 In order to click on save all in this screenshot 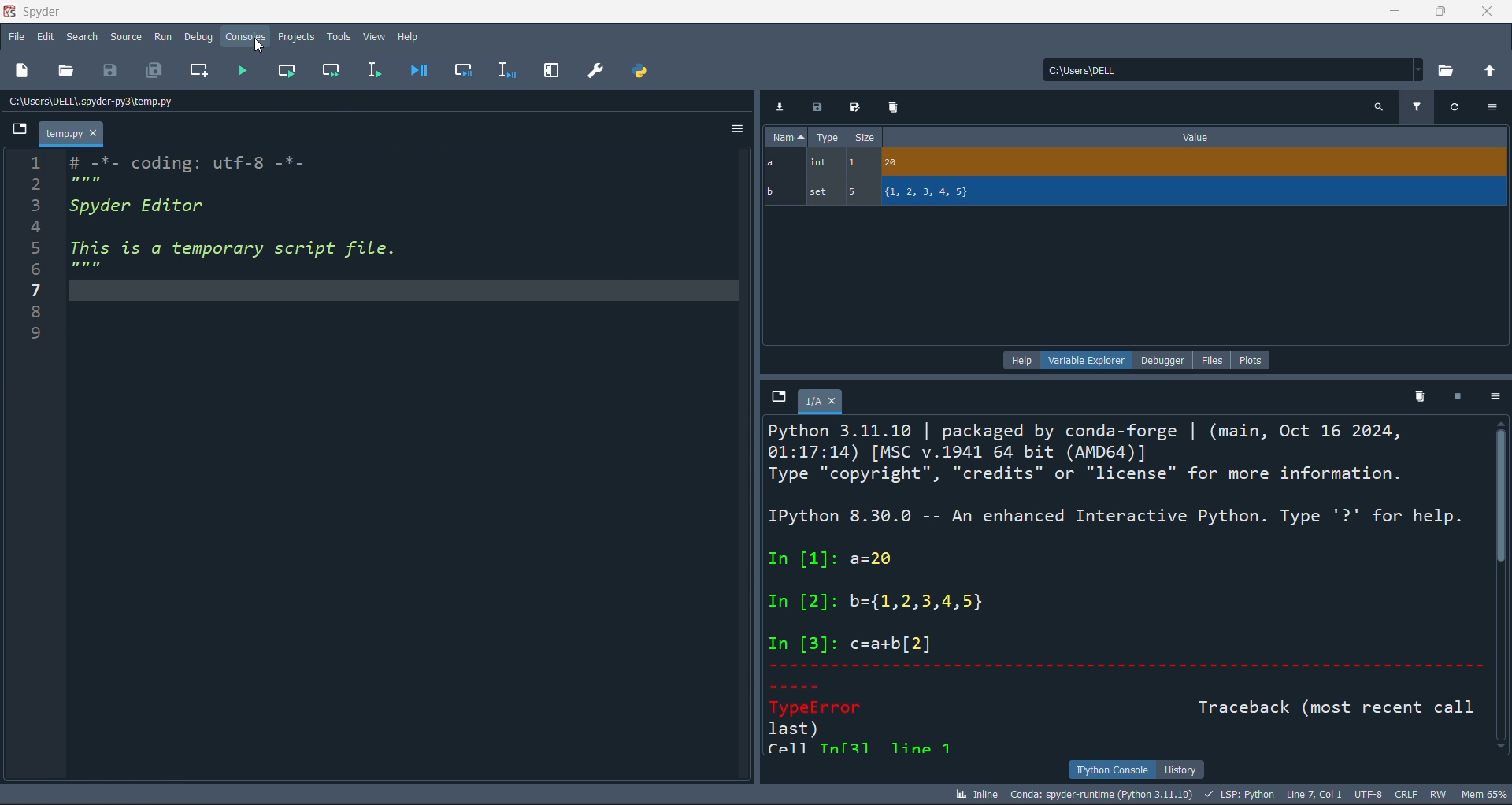, I will do `click(156, 70)`.